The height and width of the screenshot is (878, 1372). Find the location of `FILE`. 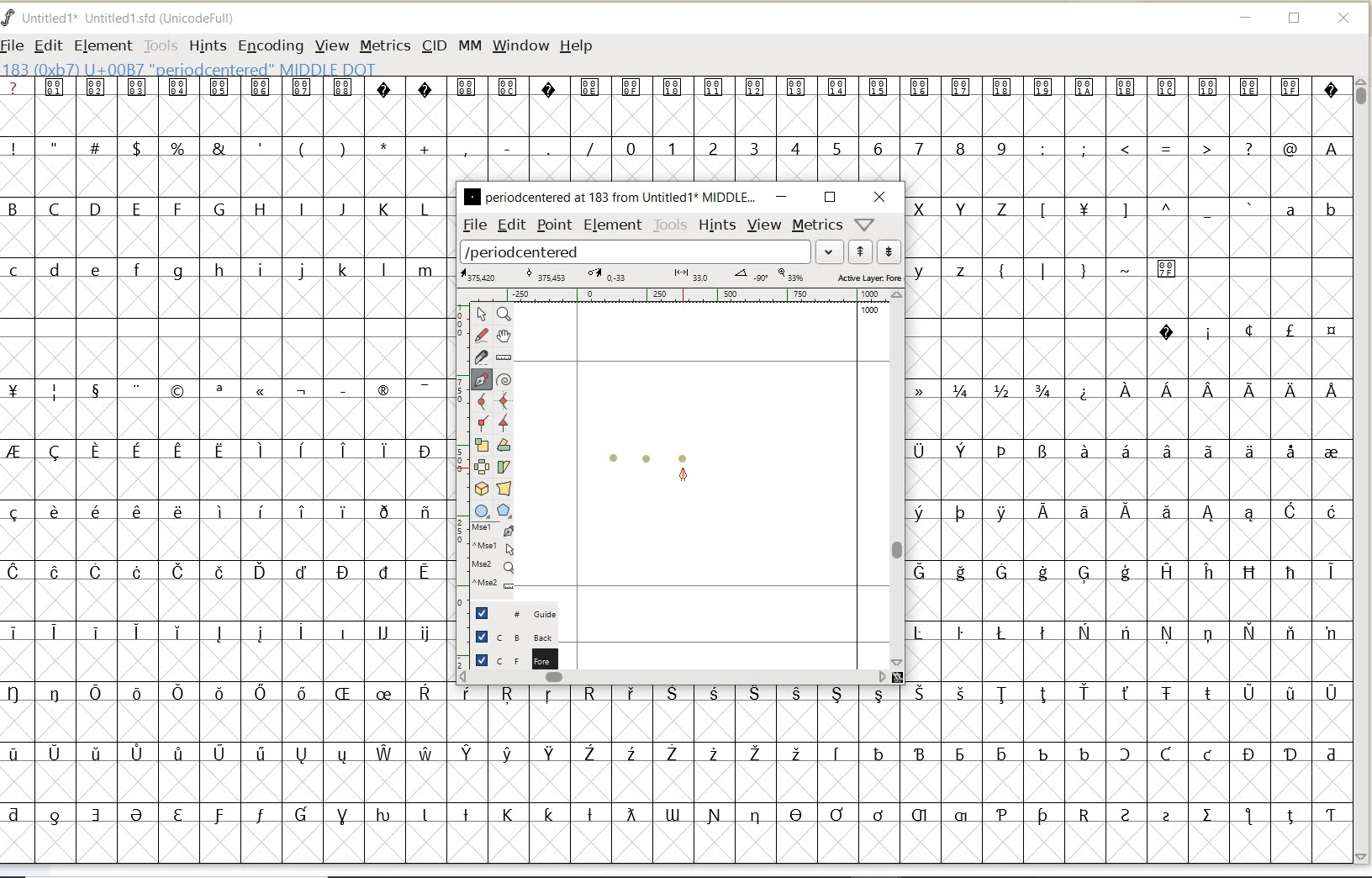

FILE is located at coordinates (14, 45).